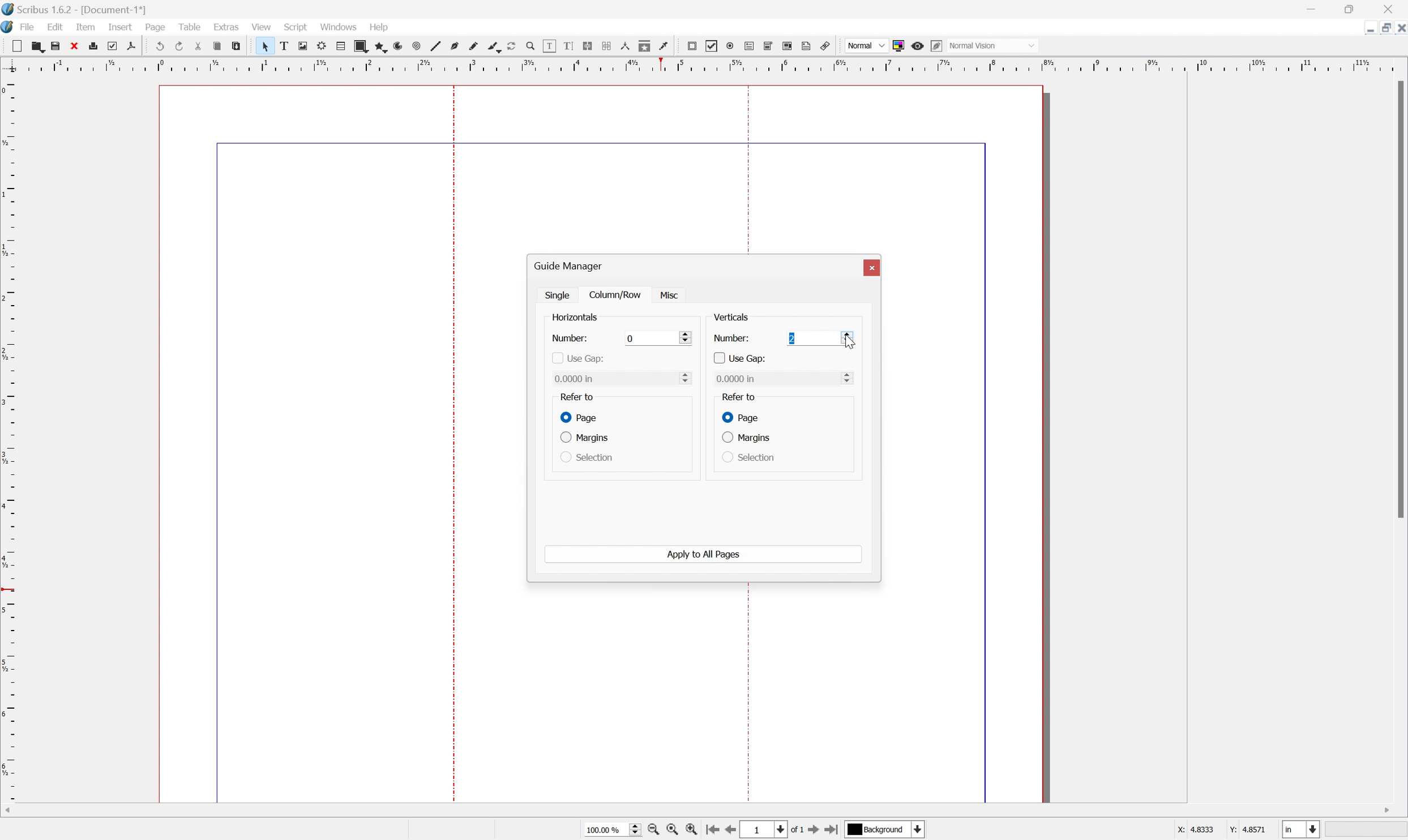 This screenshot has height=840, width=1408. I want to click on shape, so click(361, 47).